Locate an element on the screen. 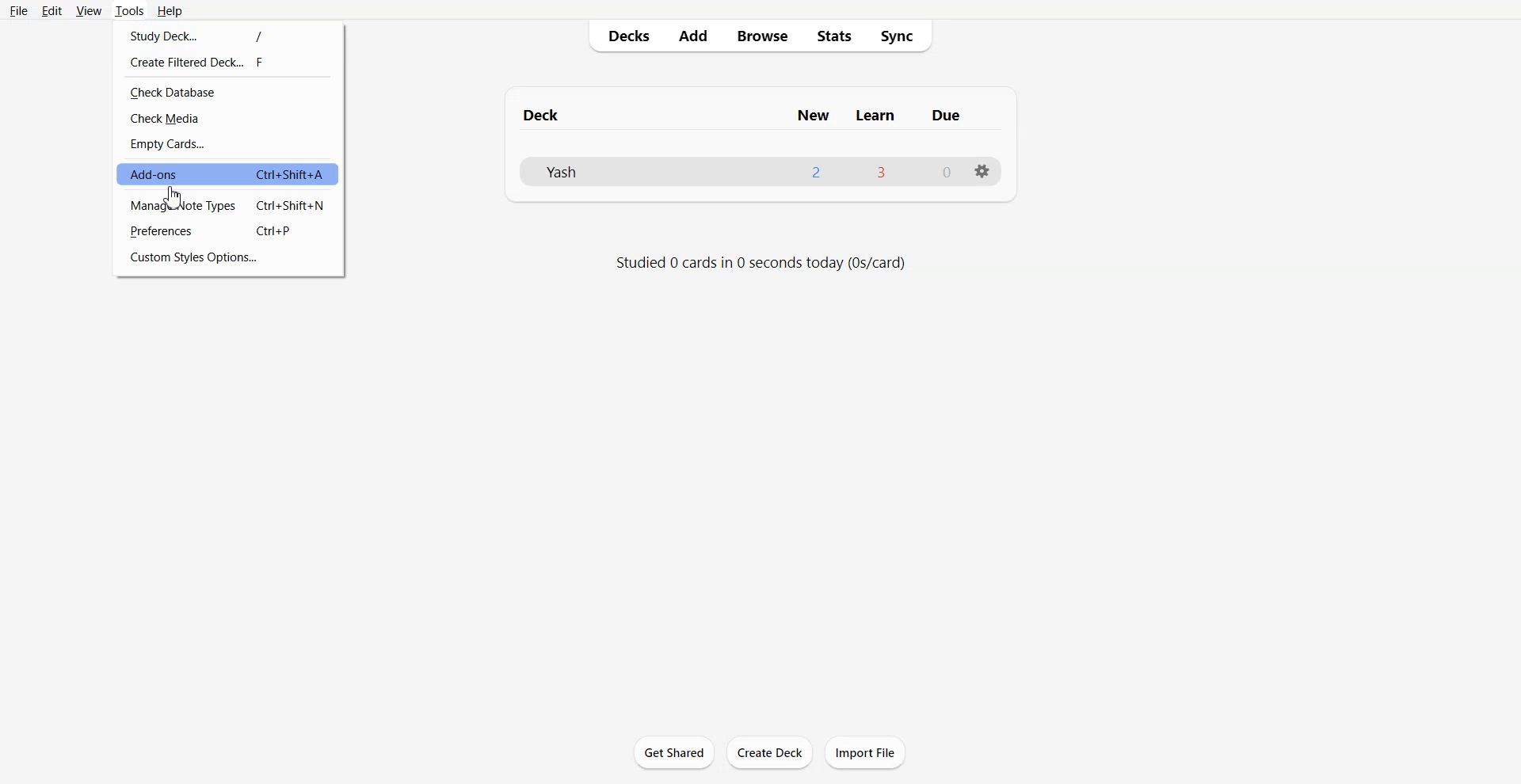  2 is located at coordinates (816, 172).